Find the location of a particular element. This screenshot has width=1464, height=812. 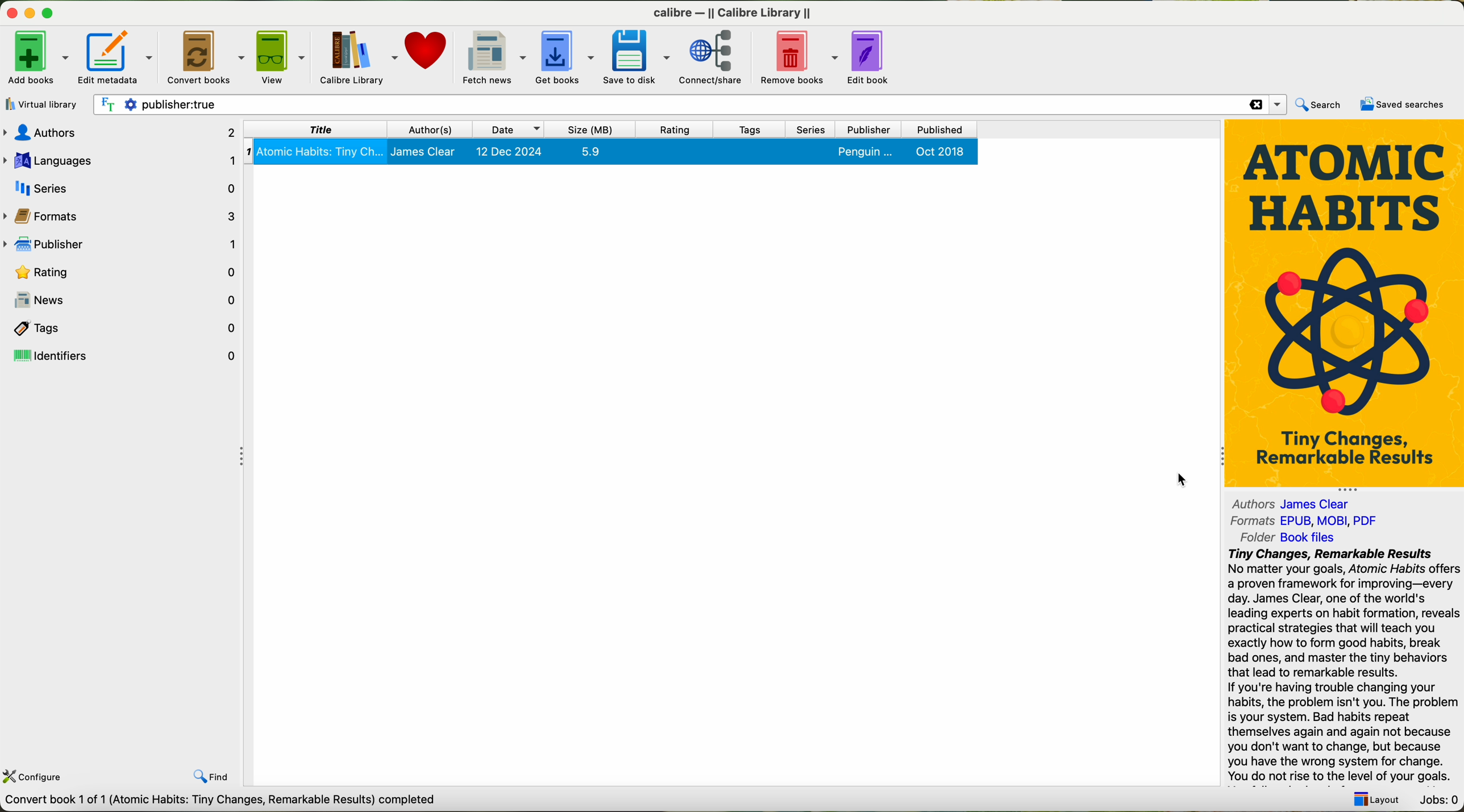

languages is located at coordinates (122, 161).